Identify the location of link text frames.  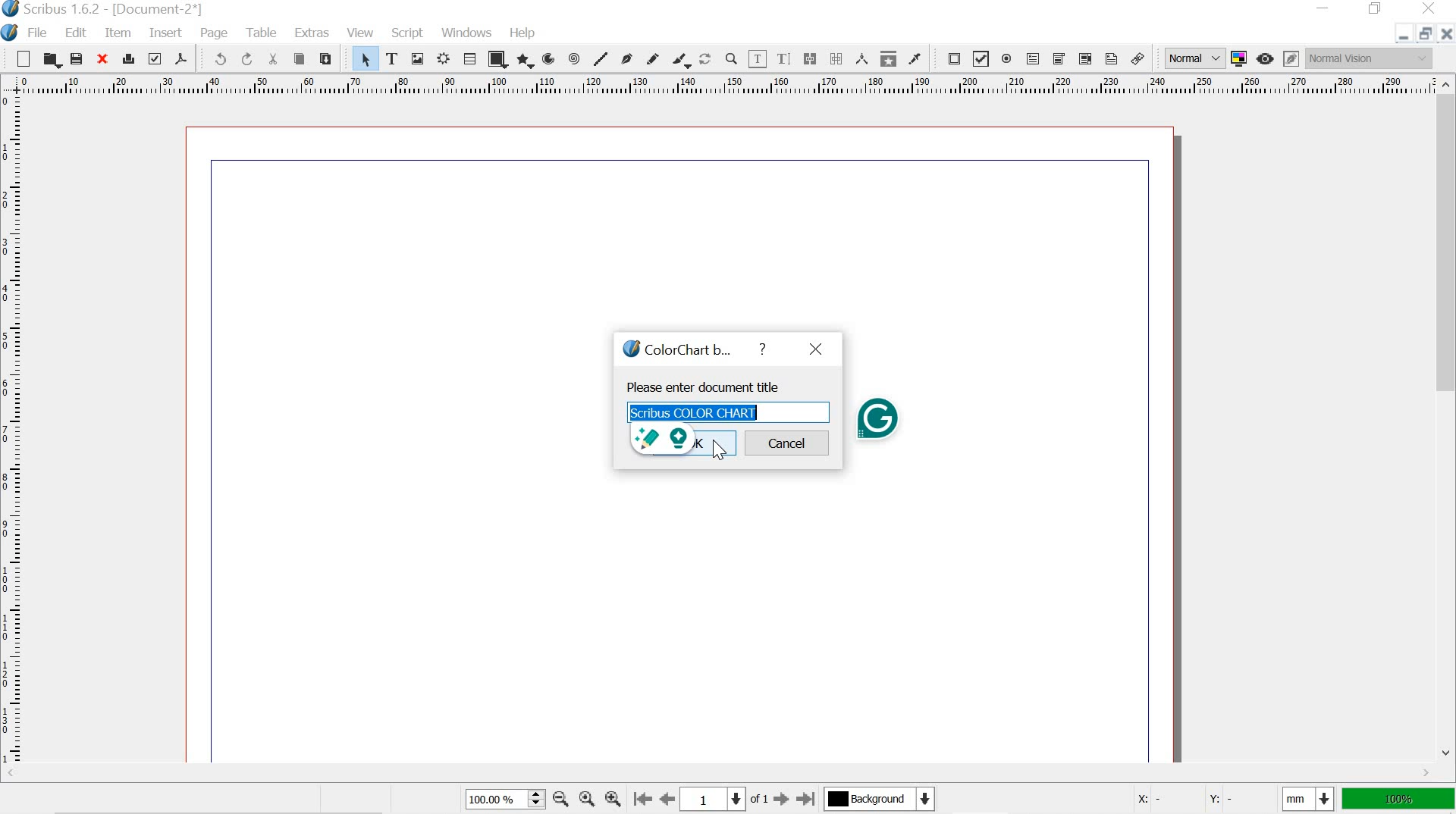
(810, 58).